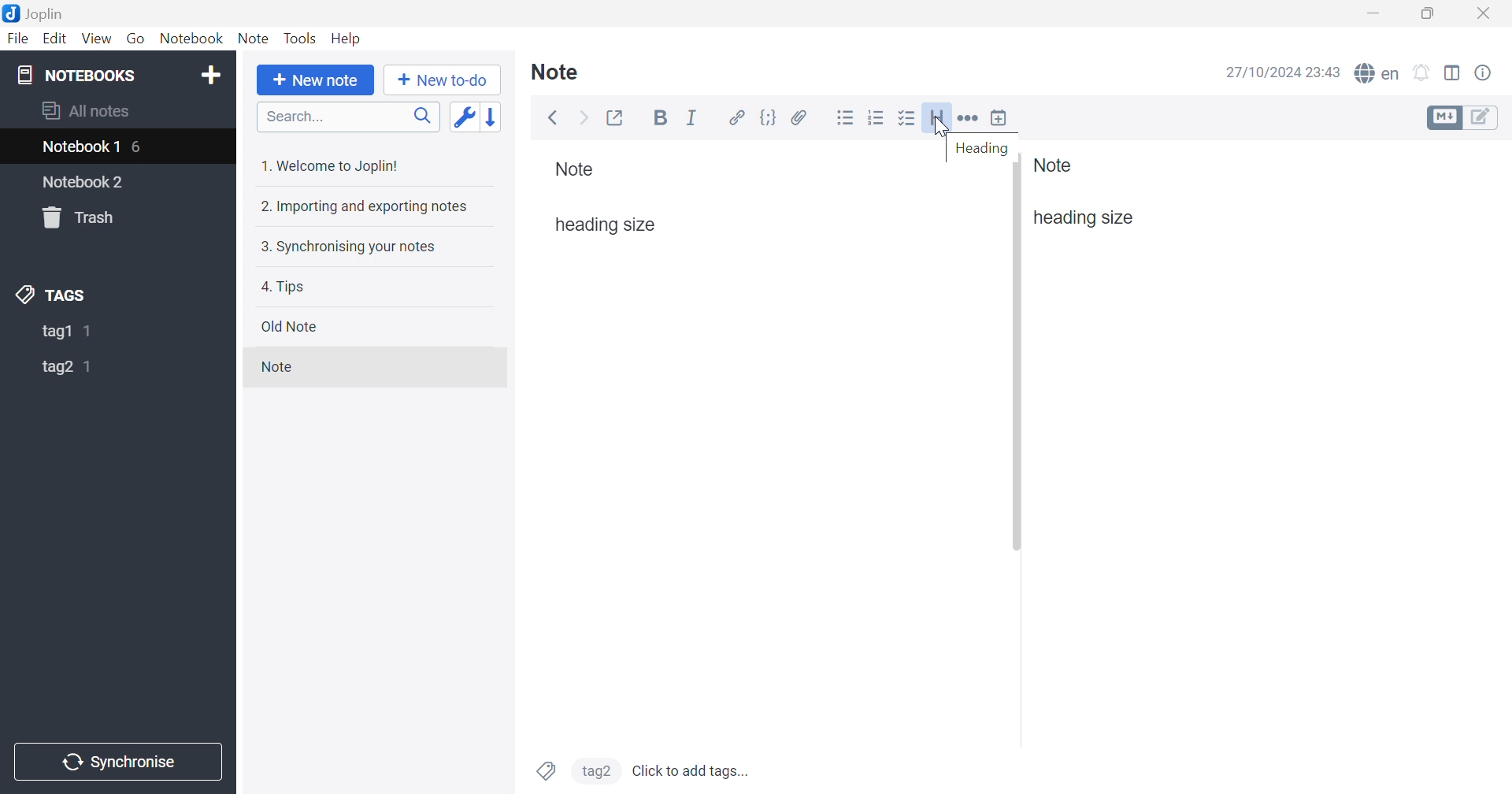  What do you see at coordinates (283, 288) in the screenshot?
I see `4. Tips` at bounding box center [283, 288].